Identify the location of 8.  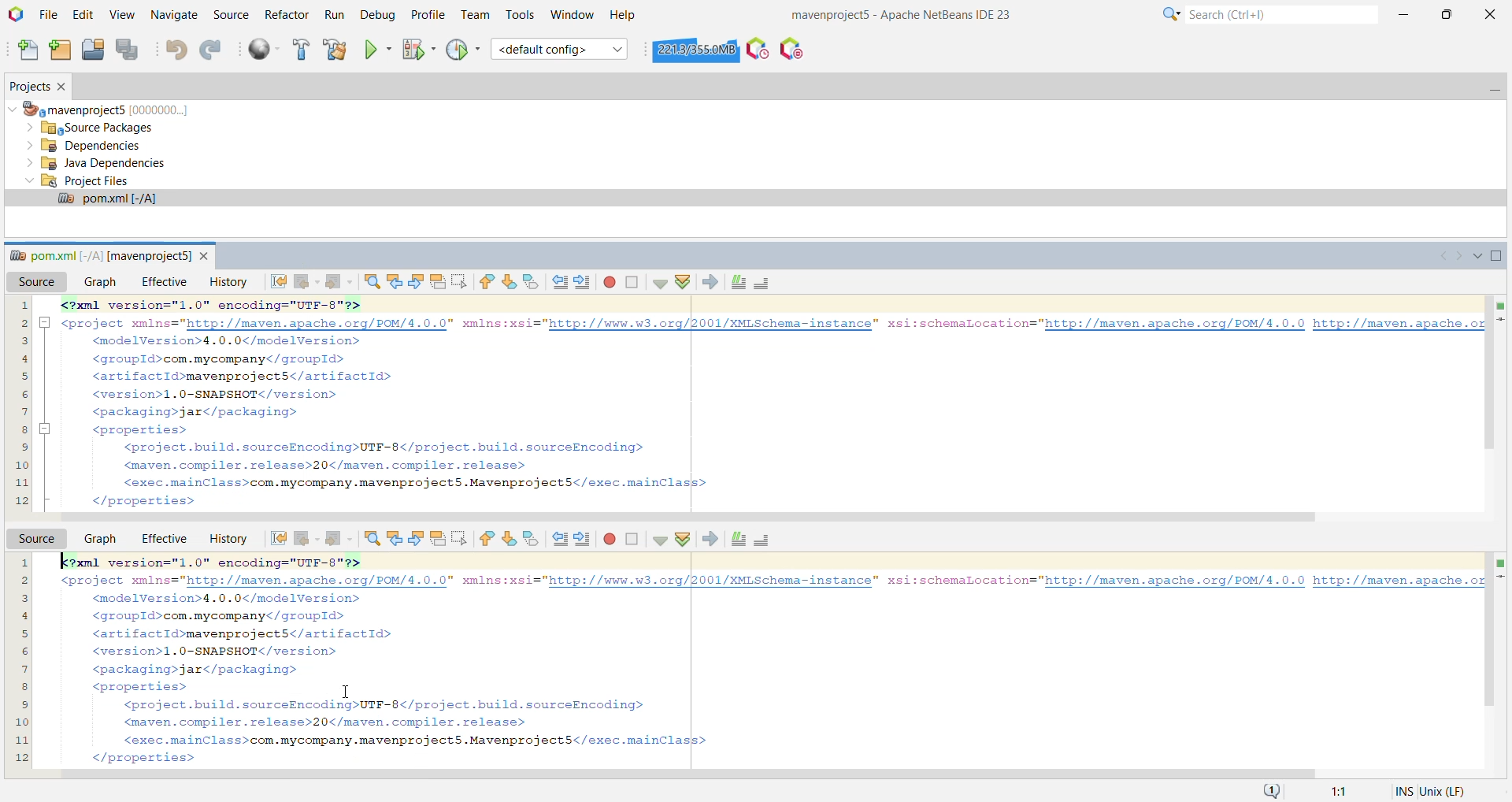
(22, 428).